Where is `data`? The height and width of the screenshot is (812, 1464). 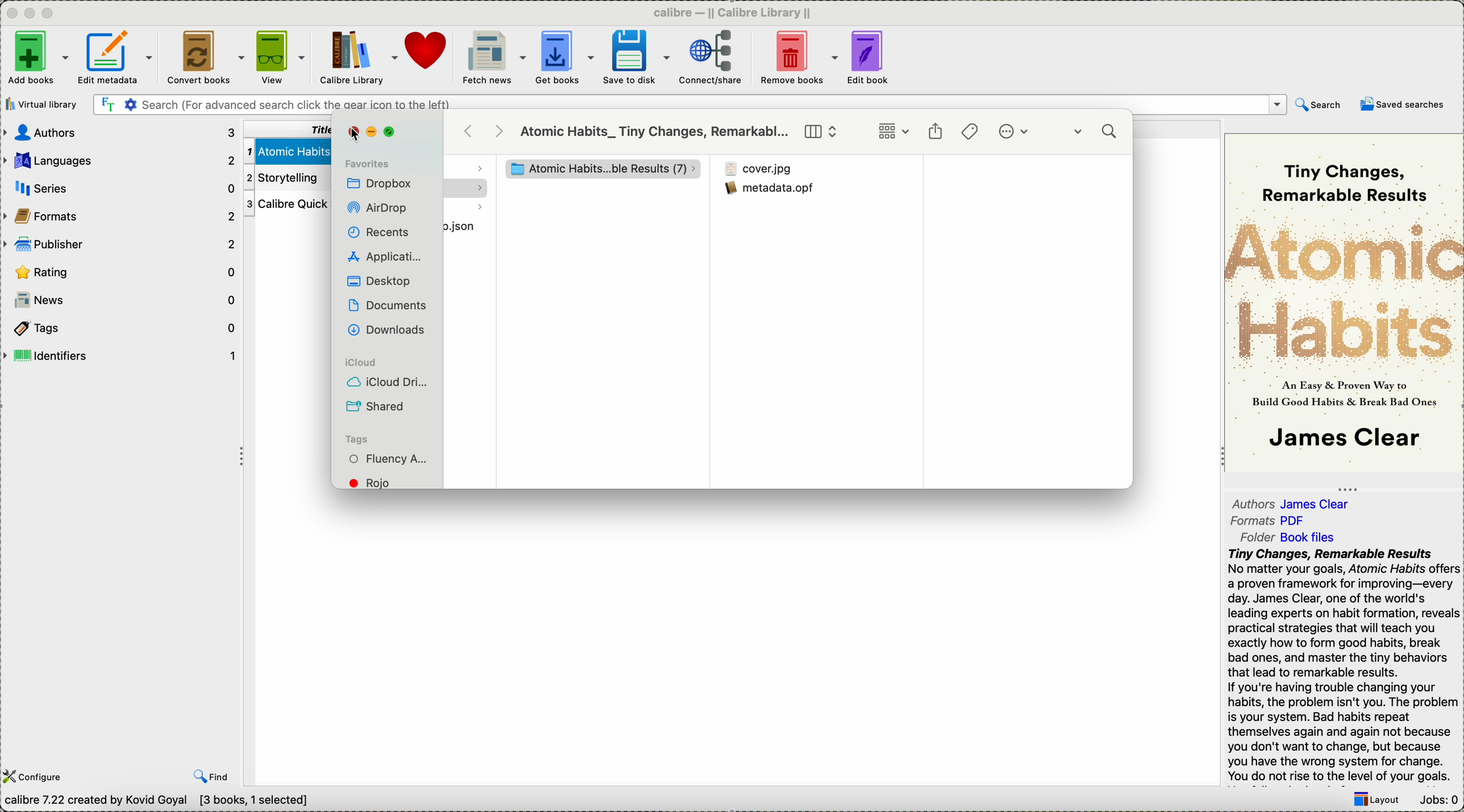
data is located at coordinates (162, 802).